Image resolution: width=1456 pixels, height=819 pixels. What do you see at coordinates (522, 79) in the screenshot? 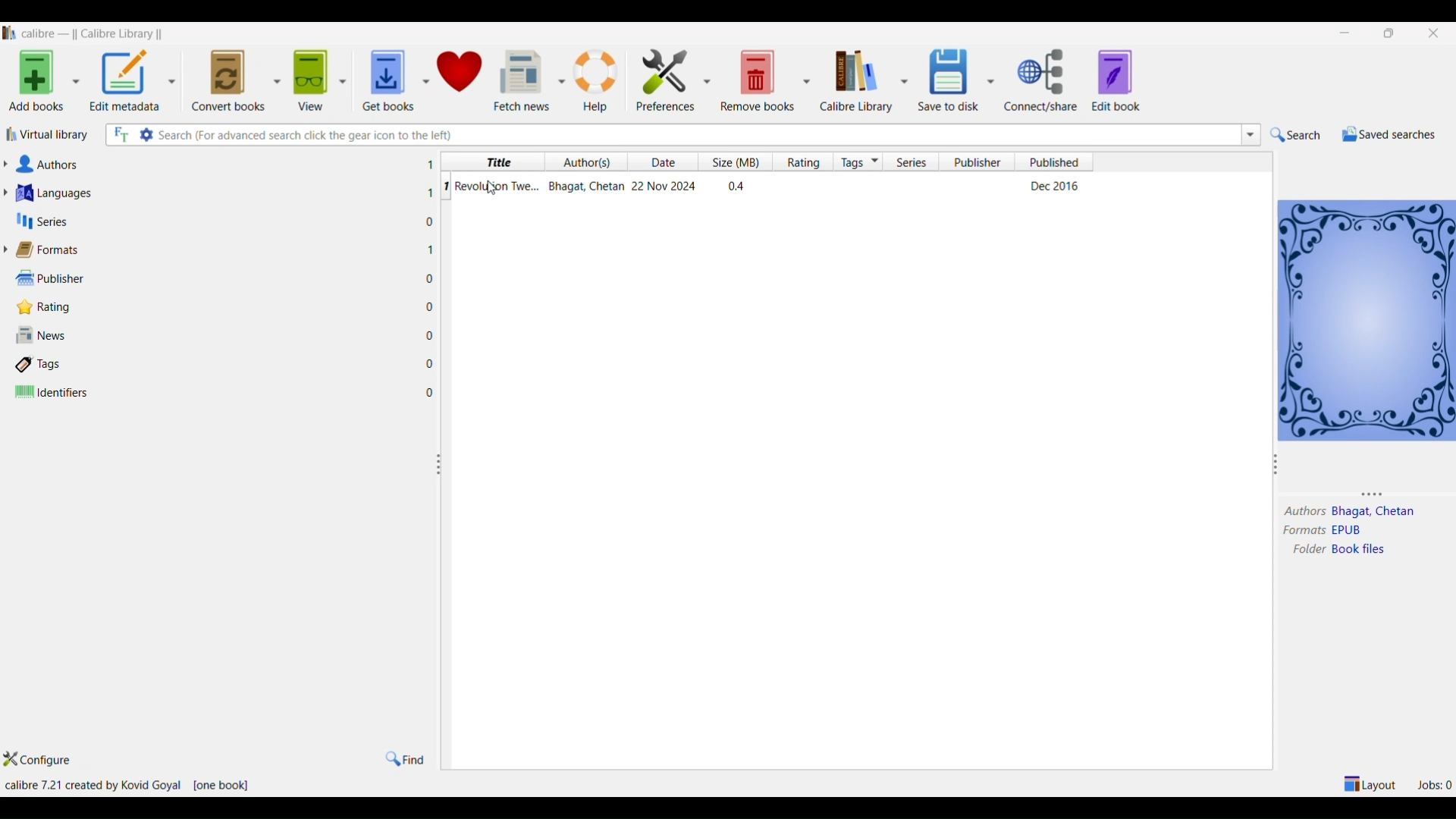
I see `fetch news` at bounding box center [522, 79].